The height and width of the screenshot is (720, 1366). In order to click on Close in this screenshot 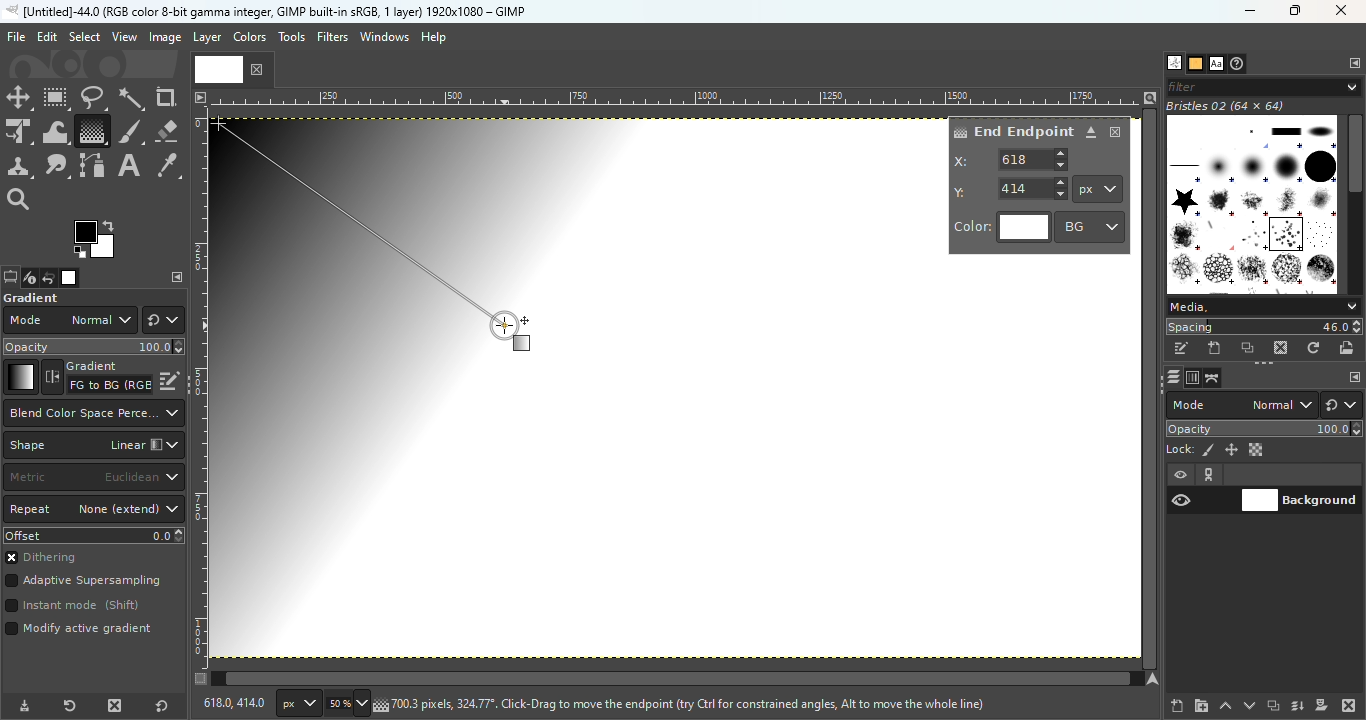, I will do `click(1116, 132)`.